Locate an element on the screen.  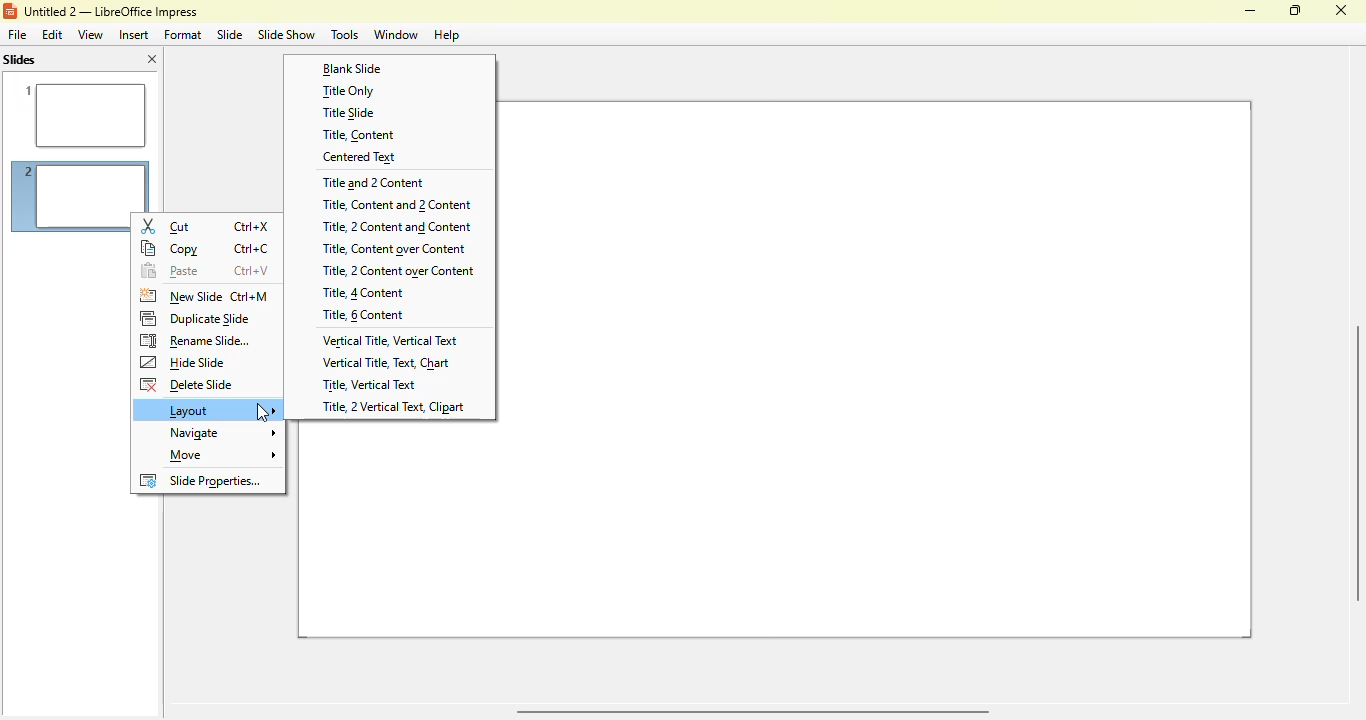
shortcut for copy is located at coordinates (251, 248).